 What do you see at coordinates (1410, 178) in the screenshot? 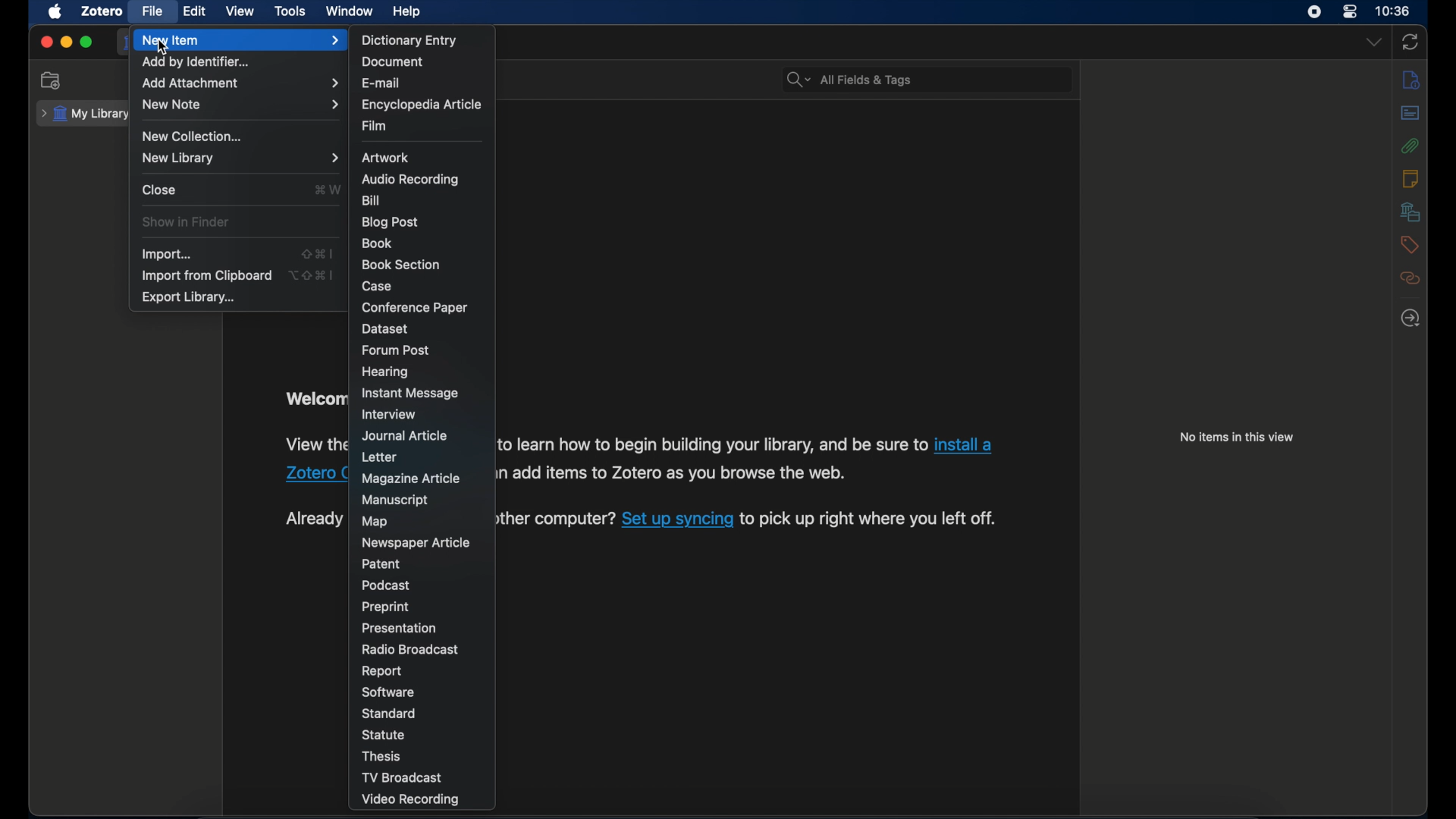
I see `notes` at bounding box center [1410, 178].